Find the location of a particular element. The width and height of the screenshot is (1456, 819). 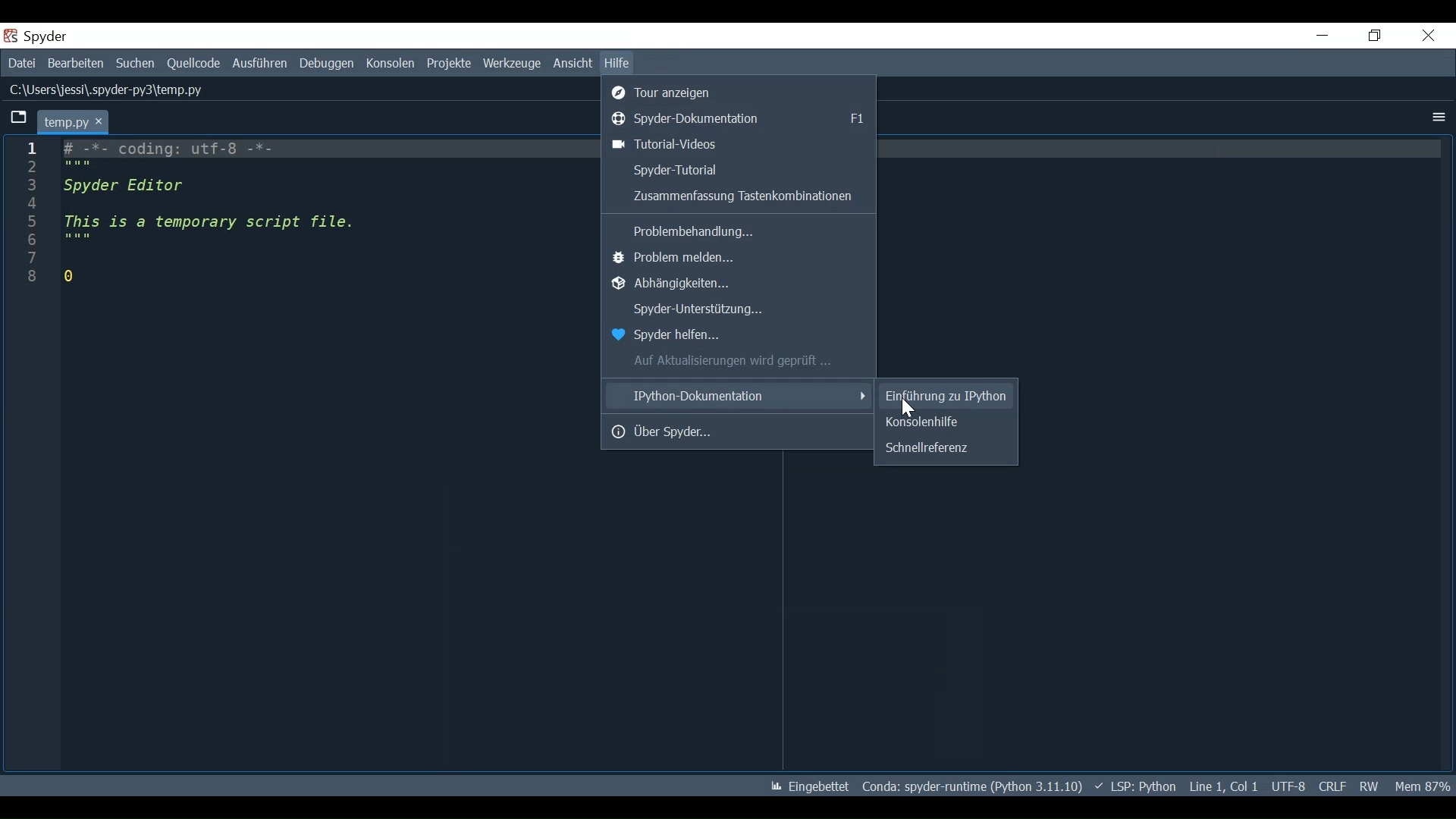

Spyder Support is located at coordinates (739, 311).